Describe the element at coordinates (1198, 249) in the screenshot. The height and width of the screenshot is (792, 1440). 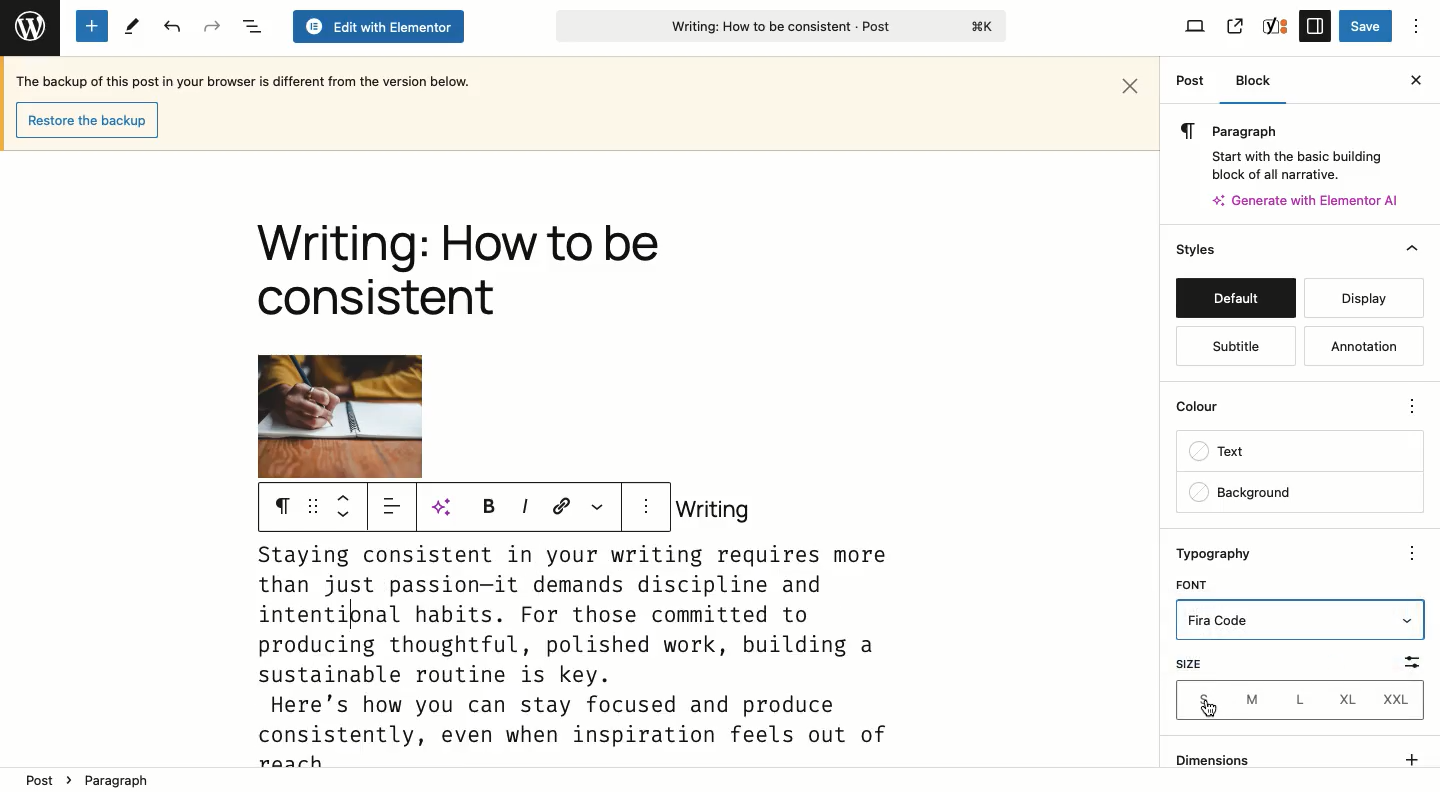
I see `Style` at that location.